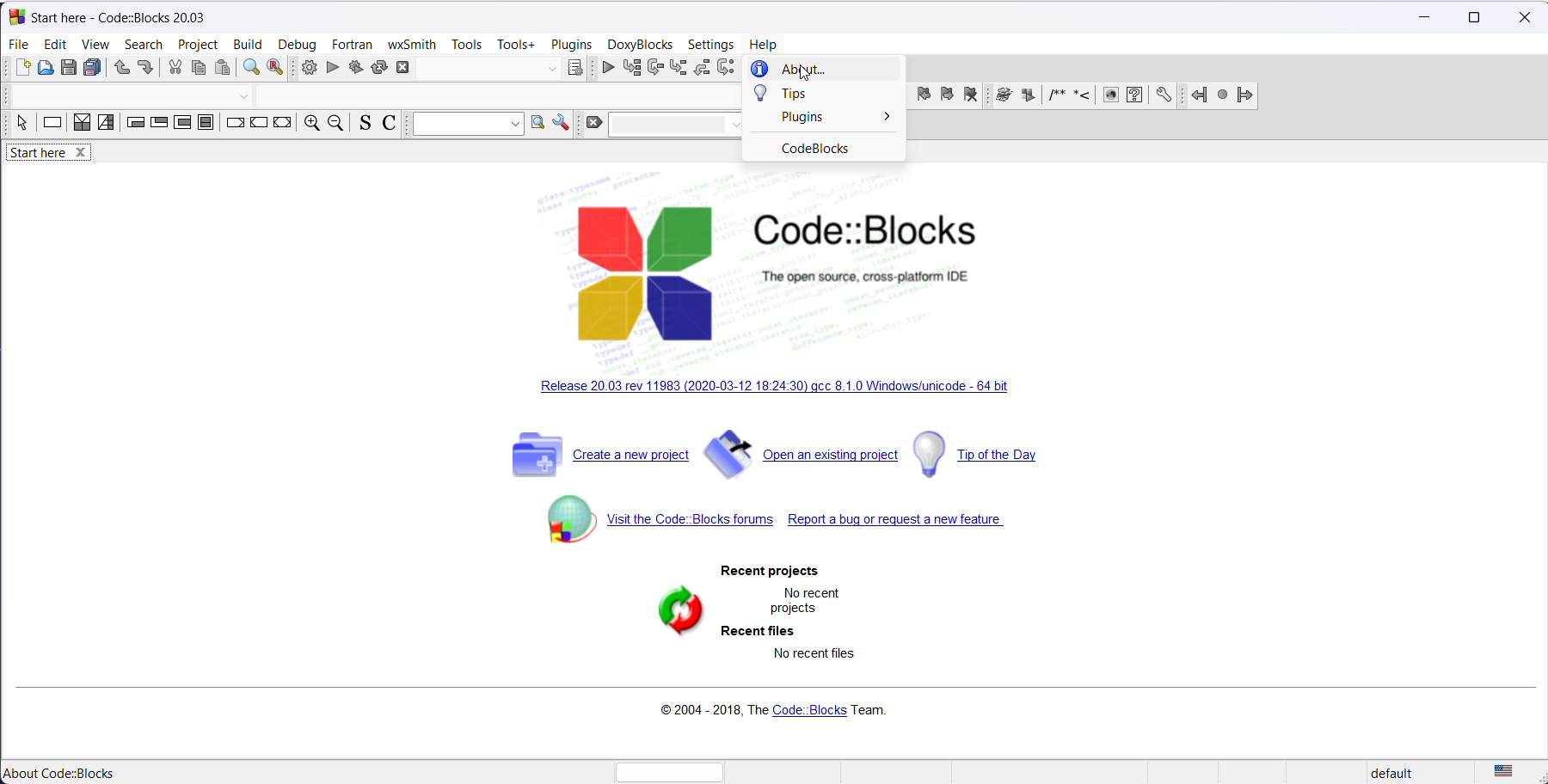 This screenshot has height=784, width=1548. Describe the element at coordinates (514, 43) in the screenshot. I see `tools+` at that location.